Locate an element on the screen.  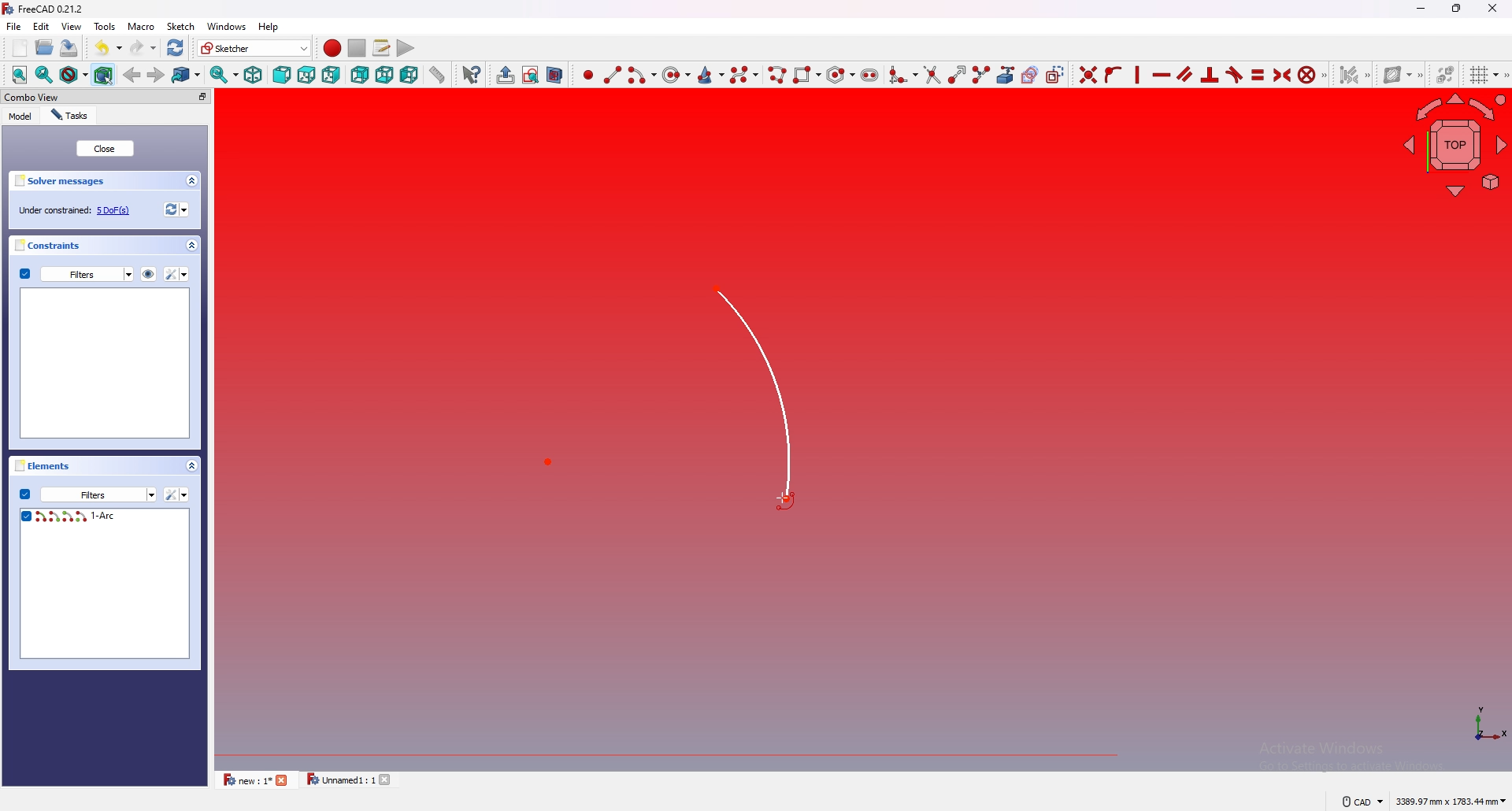
save is located at coordinates (68, 47).